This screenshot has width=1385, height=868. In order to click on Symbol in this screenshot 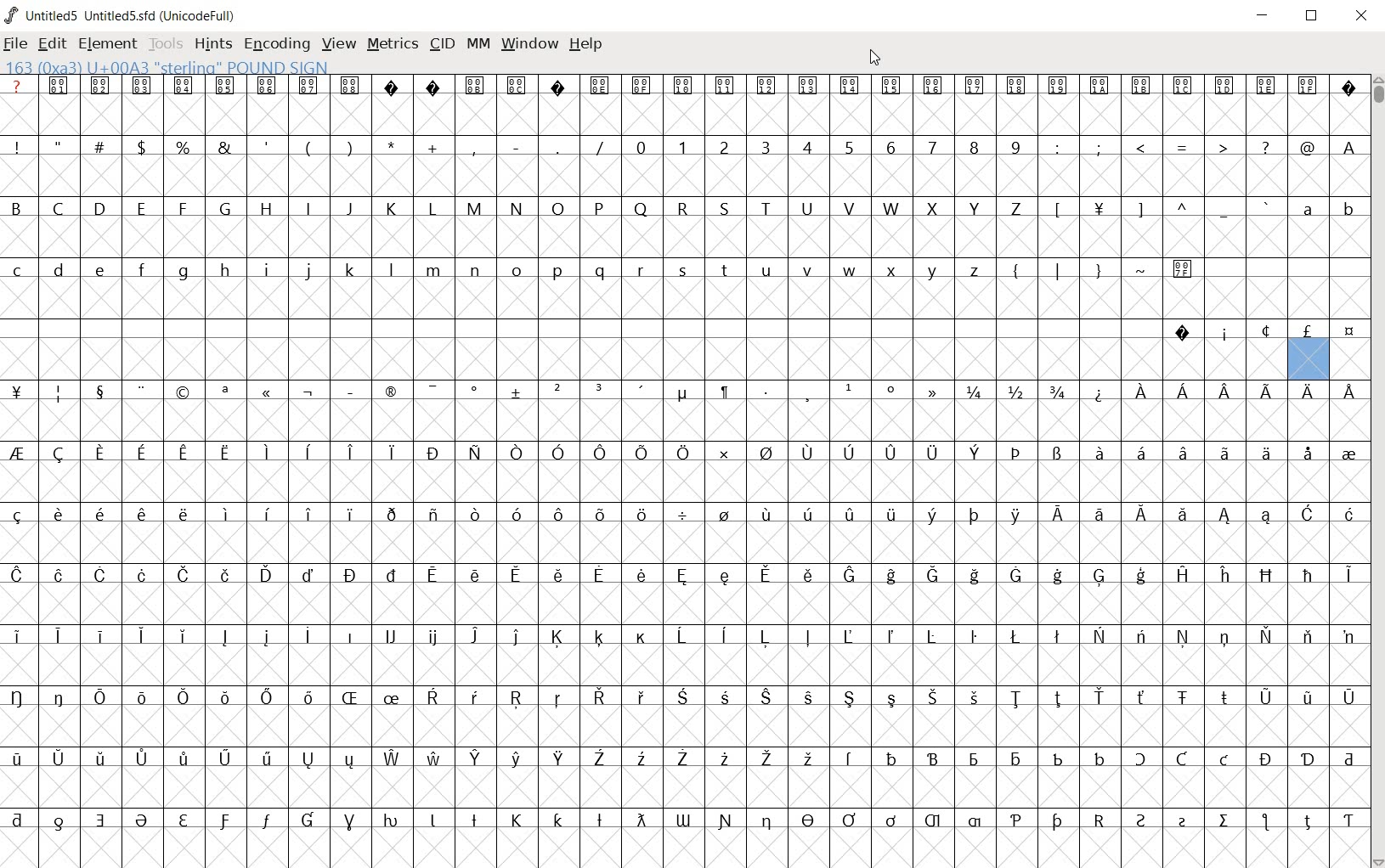, I will do `click(226, 86)`.